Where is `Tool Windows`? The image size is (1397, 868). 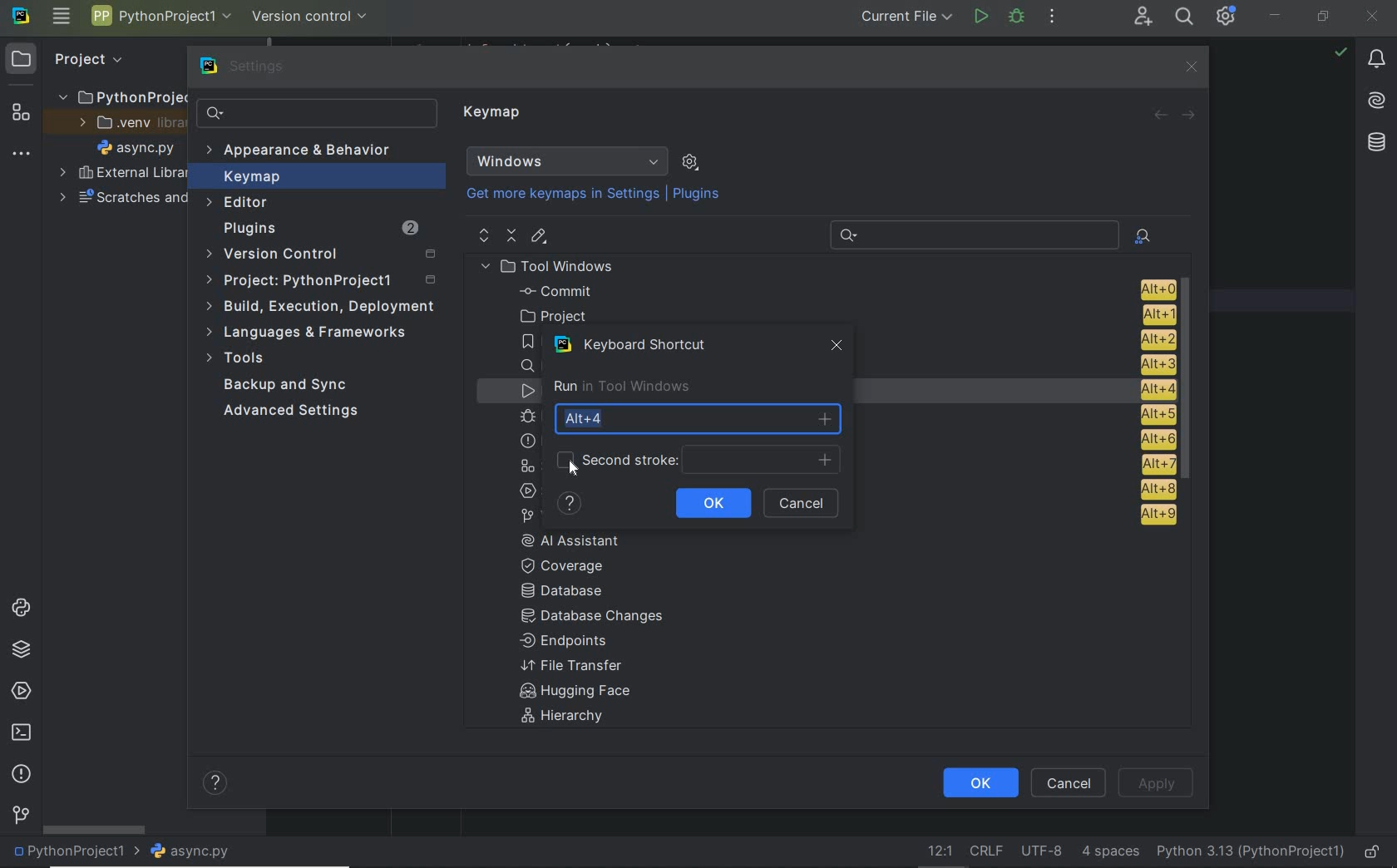 Tool Windows is located at coordinates (554, 266).